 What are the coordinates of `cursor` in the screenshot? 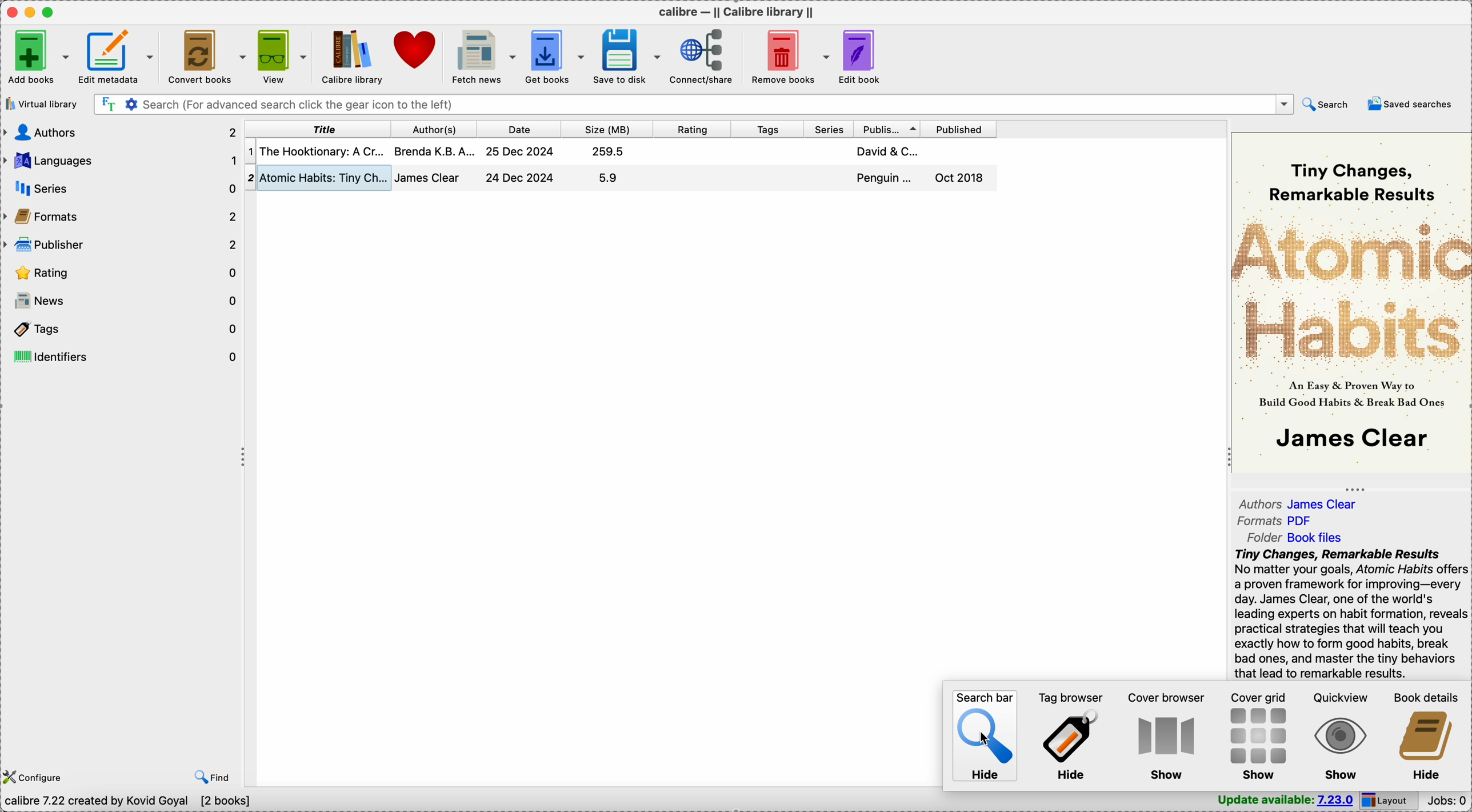 It's located at (985, 738).